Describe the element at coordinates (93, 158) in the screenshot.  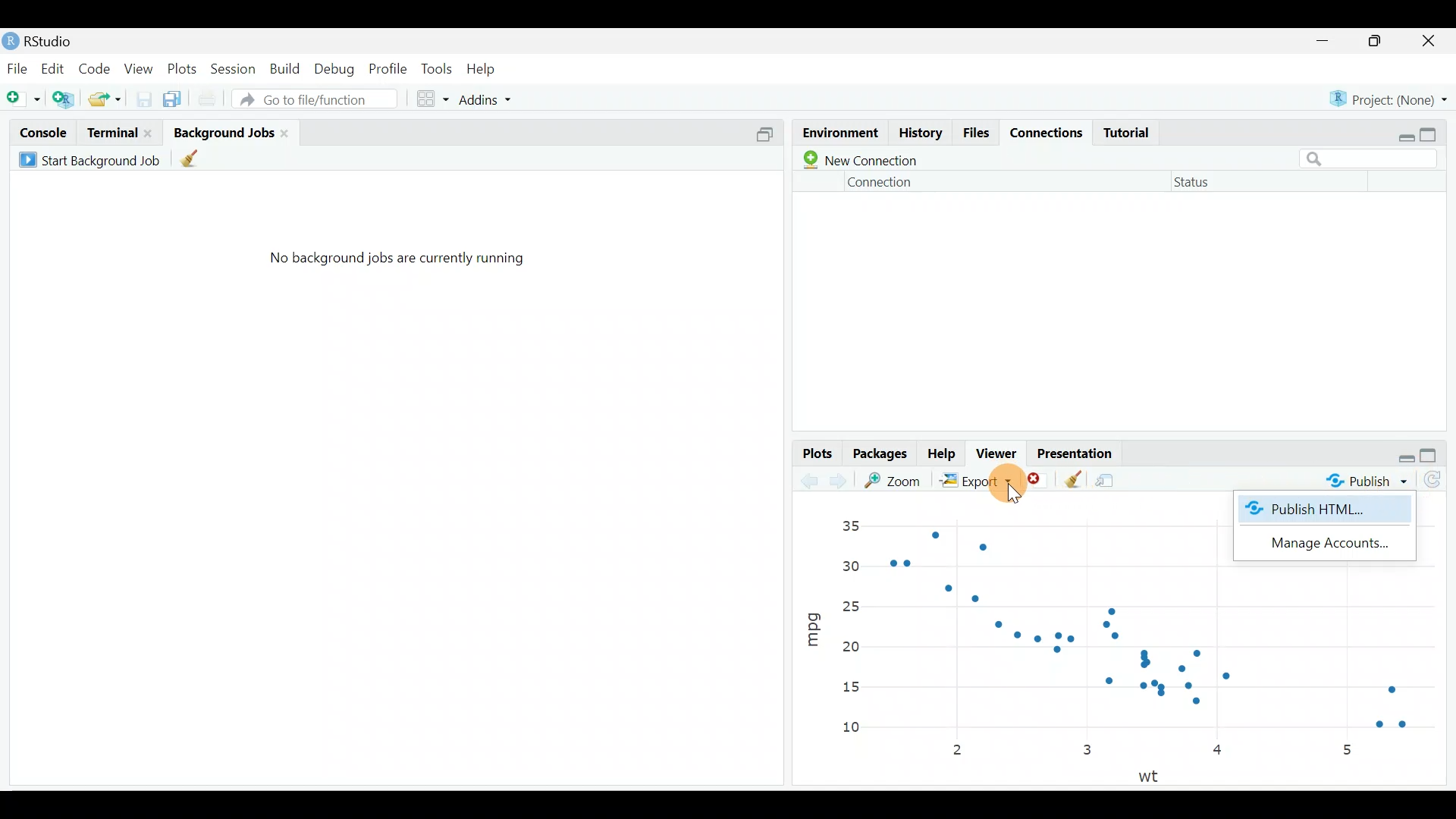
I see `Start background job` at that location.